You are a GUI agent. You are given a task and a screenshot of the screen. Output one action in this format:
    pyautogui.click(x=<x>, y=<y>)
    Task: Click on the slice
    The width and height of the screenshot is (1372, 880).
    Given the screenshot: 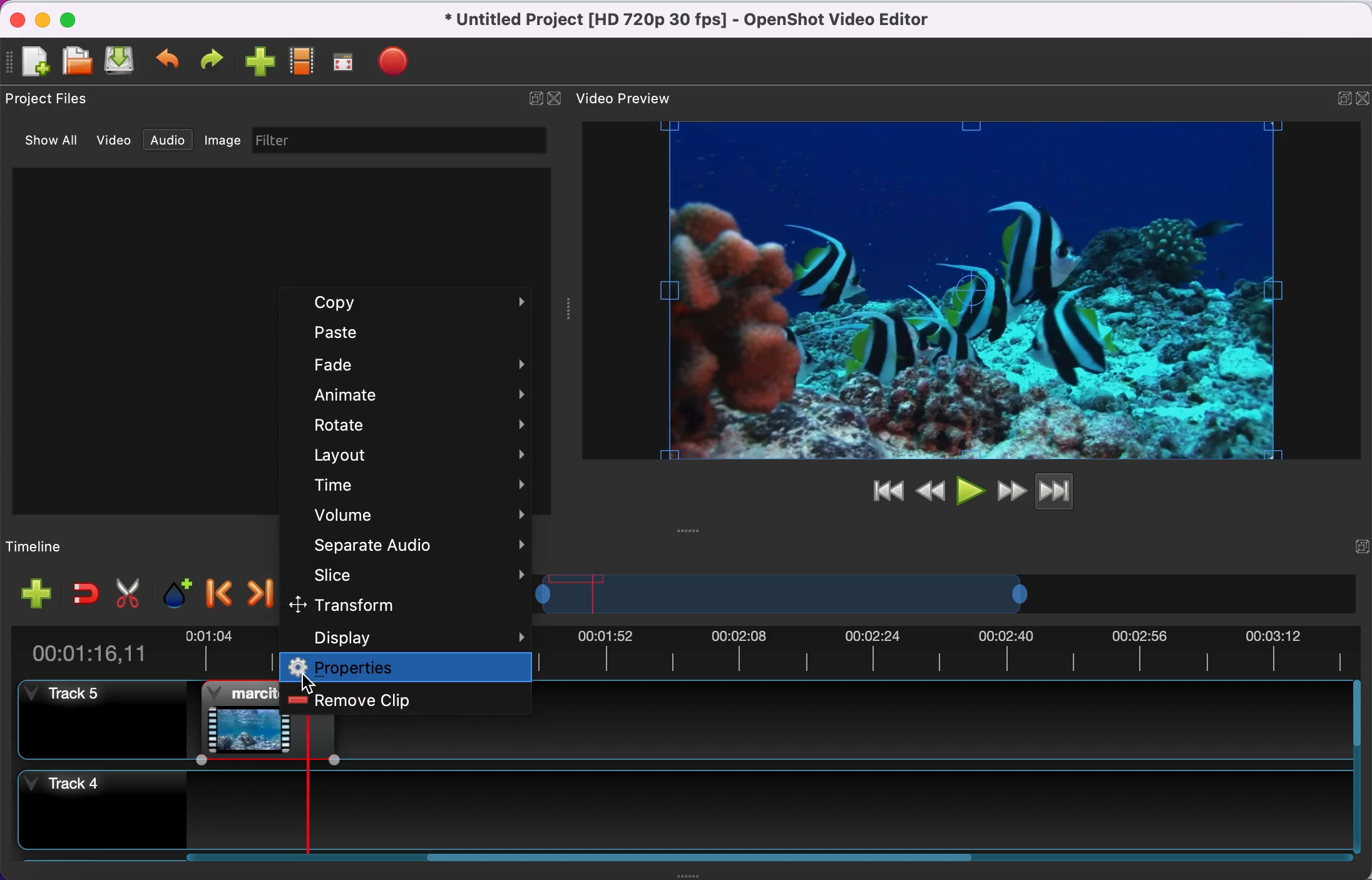 What is the action you would take?
    pyautogui.click(x=415, y=575)
    